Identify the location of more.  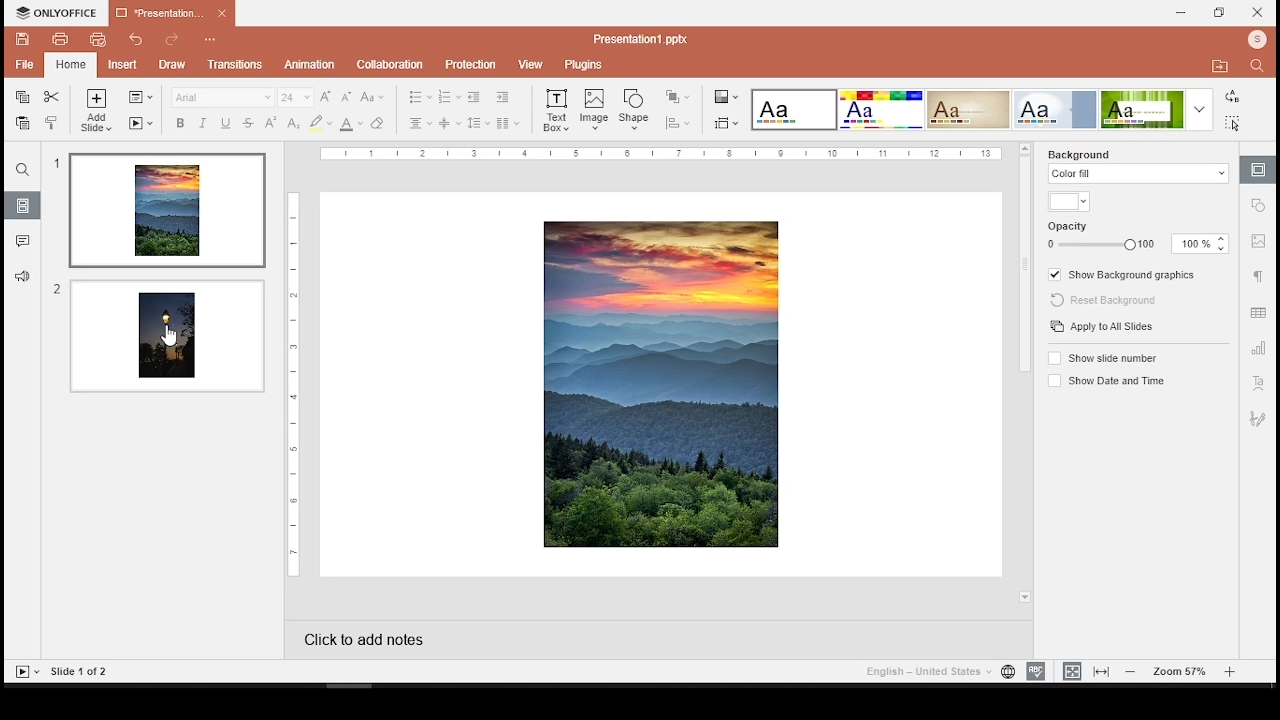
(1200, 110).